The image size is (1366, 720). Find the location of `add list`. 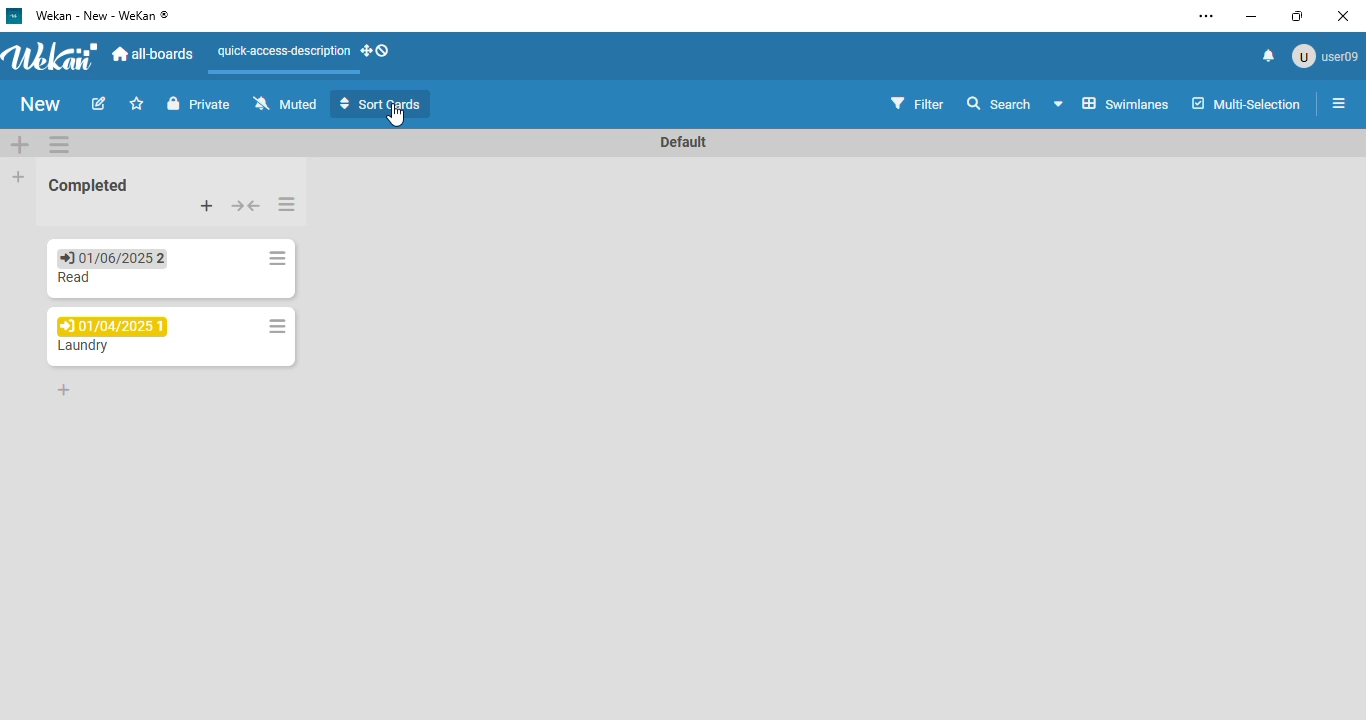

add list is located at coordinates (19, 176).